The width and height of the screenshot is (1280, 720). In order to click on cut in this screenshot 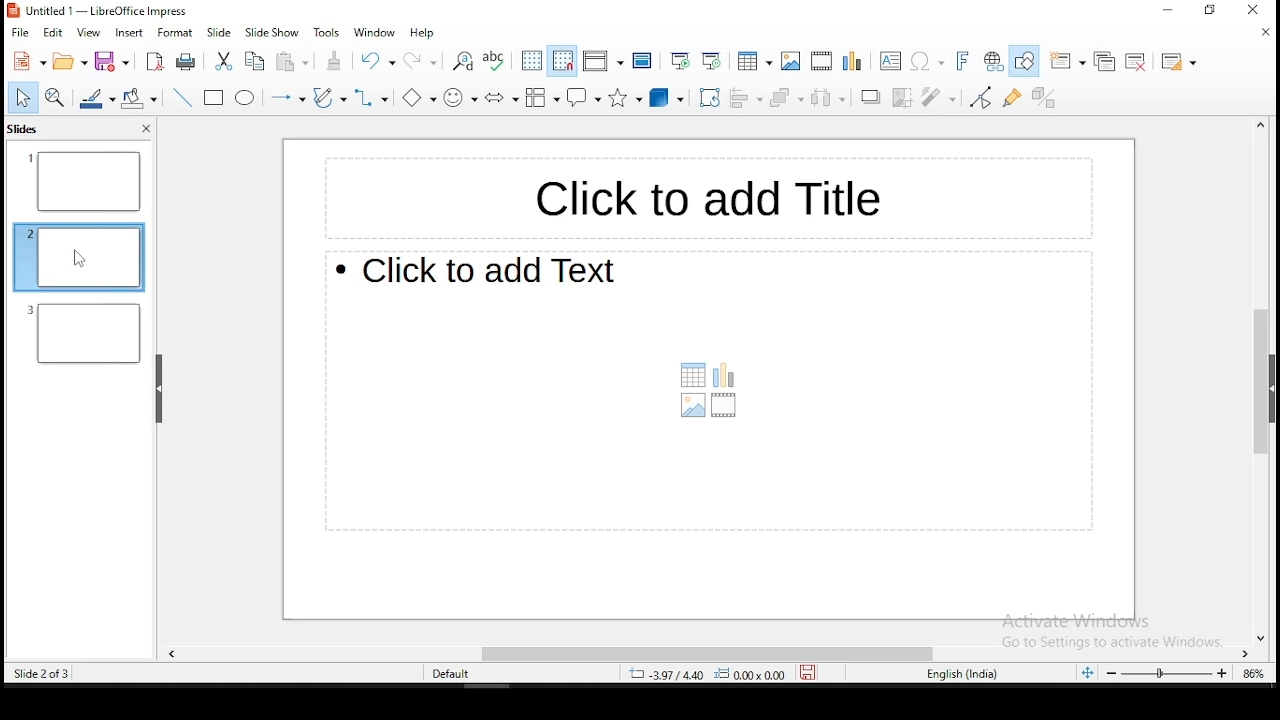, I will do `click(224, 60)`.